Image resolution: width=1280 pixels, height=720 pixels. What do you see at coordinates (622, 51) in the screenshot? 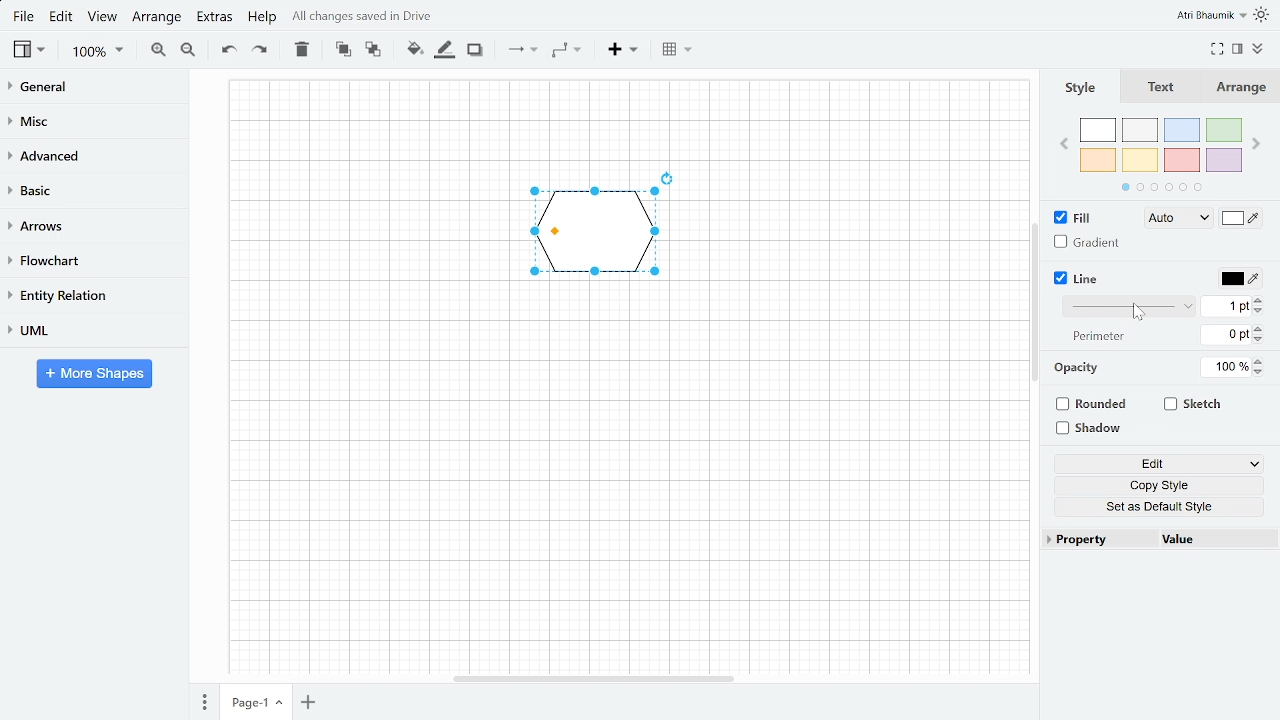
I see `Insert` at bounding box center [622, 51].